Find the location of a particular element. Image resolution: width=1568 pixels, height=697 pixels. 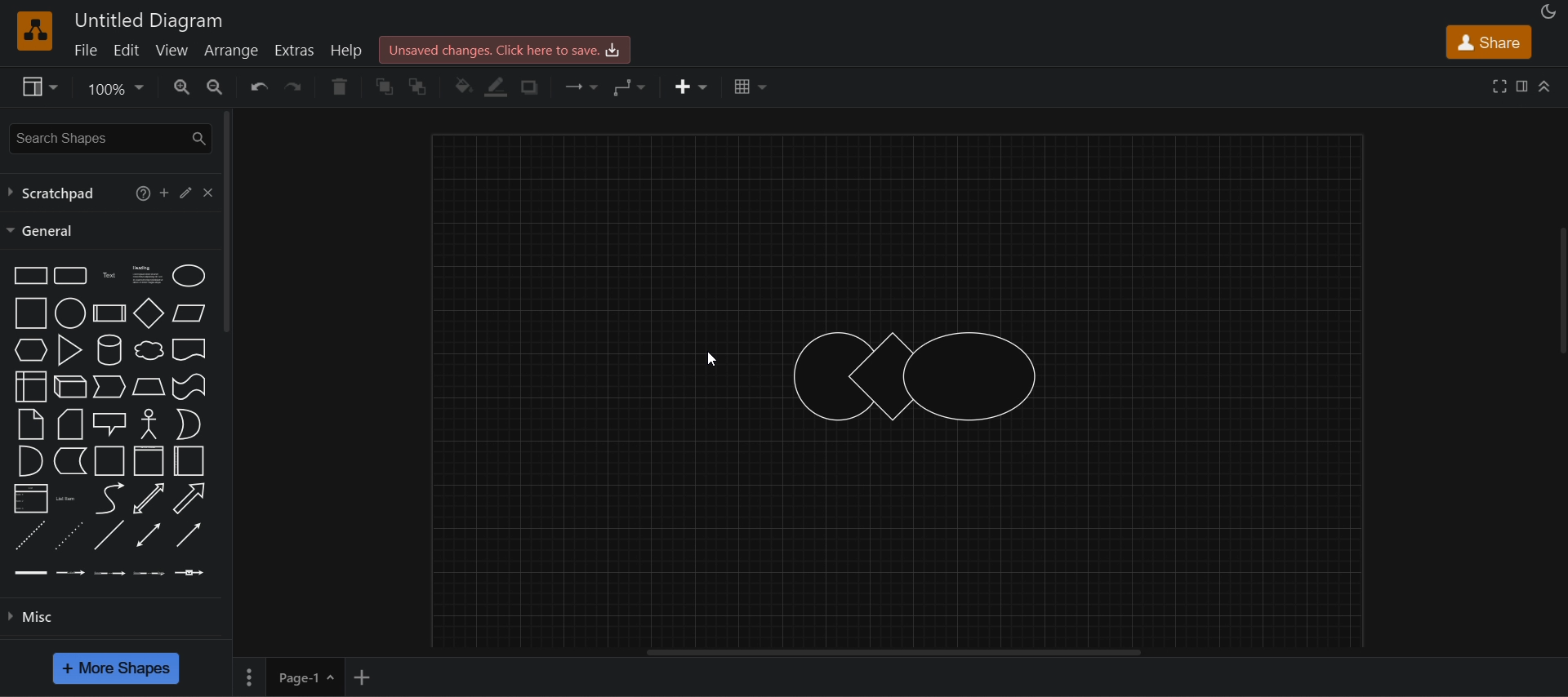

view is located at coordinates (38, 87).